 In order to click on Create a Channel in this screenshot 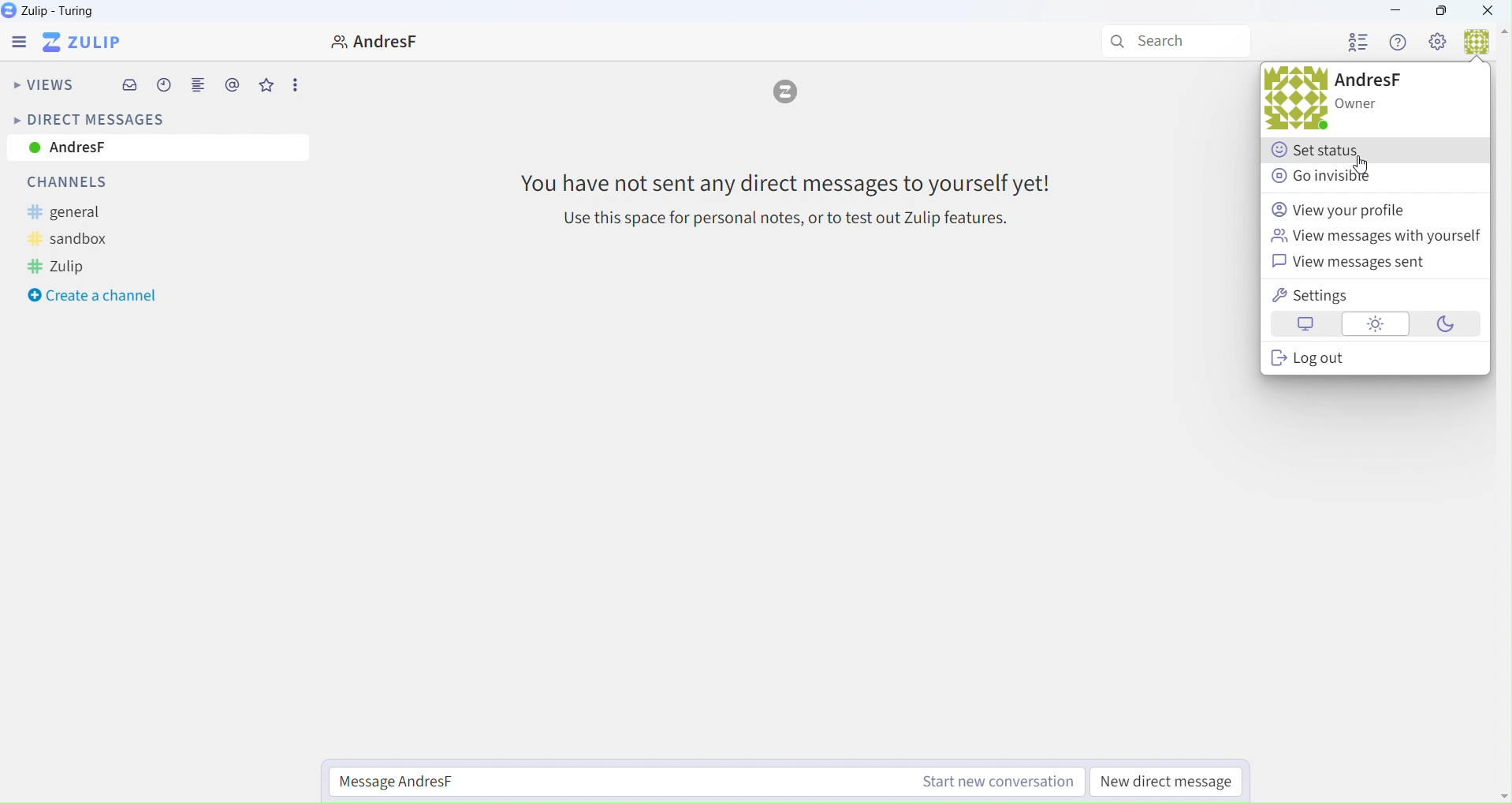, I will do `click(93, 297)`.